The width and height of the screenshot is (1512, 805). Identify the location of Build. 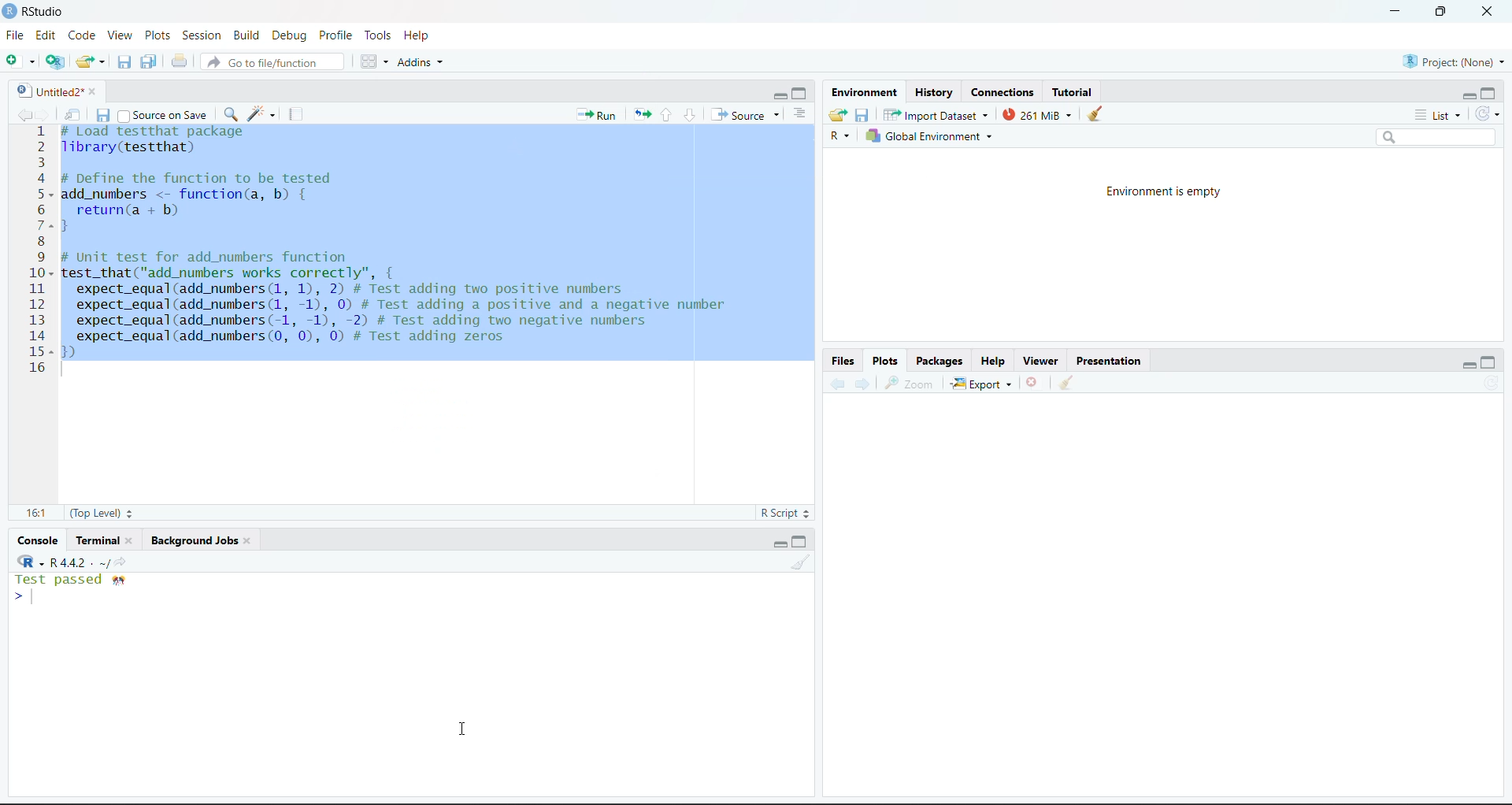
(245, 35).